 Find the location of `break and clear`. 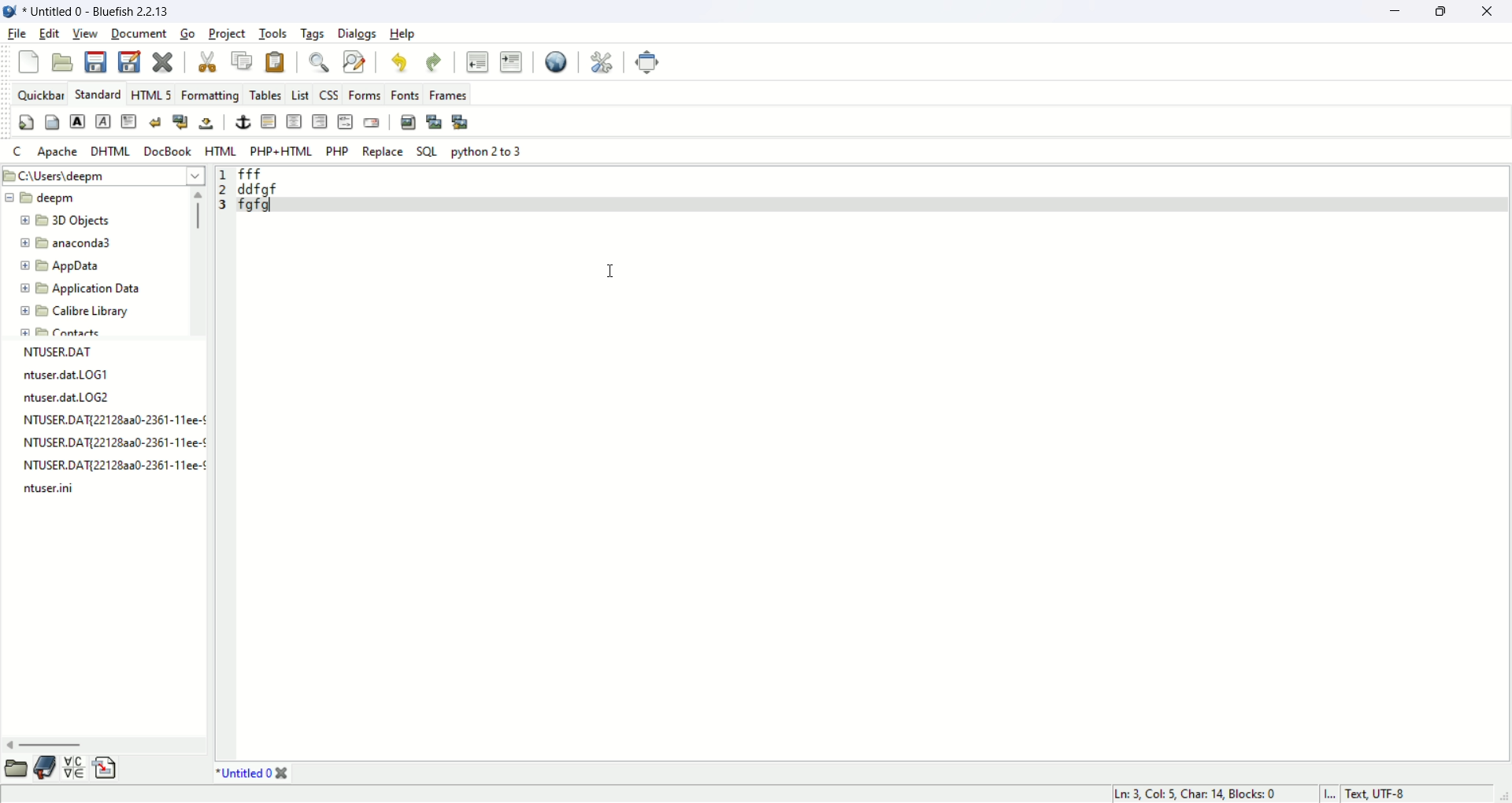

break and clear is located at coordinates (180, 122).